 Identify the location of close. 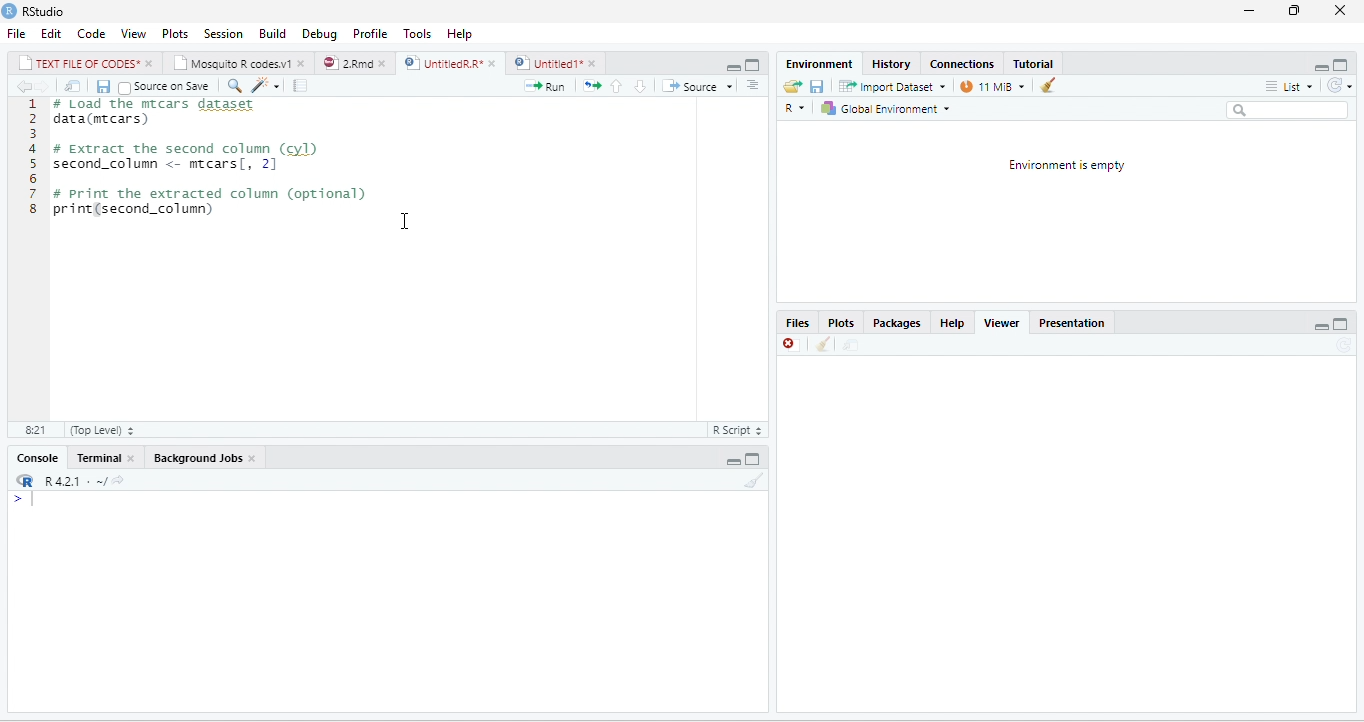
(133, 458).